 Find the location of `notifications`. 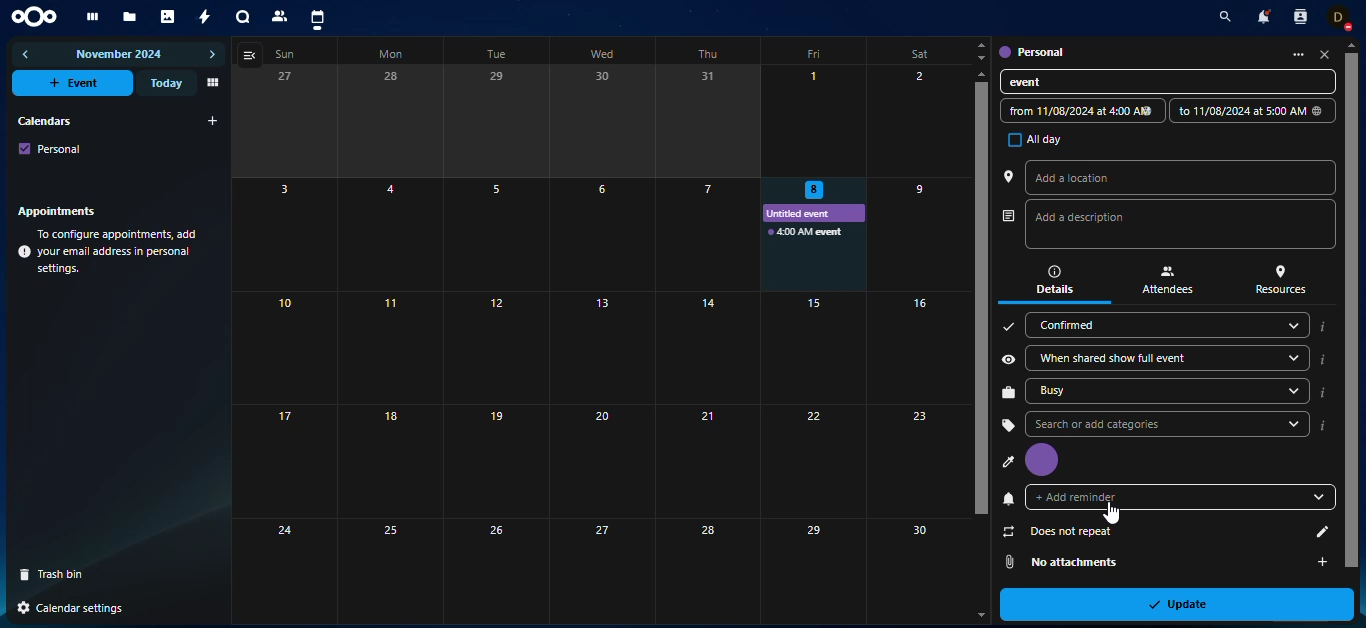

notifications is located at coordinates (1261, 16).